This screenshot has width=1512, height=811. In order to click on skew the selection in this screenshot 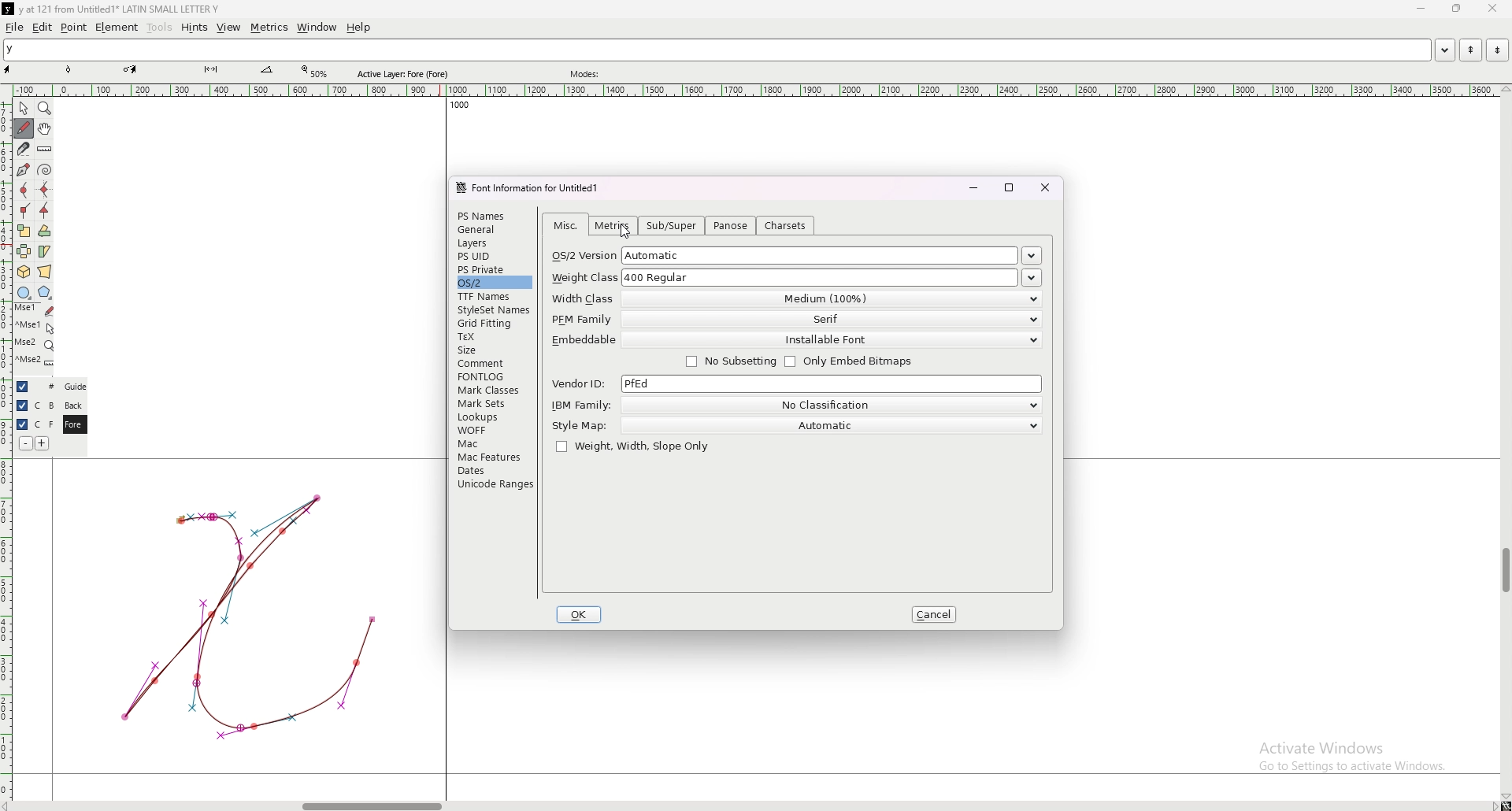, I will do `click(44, 250)`.